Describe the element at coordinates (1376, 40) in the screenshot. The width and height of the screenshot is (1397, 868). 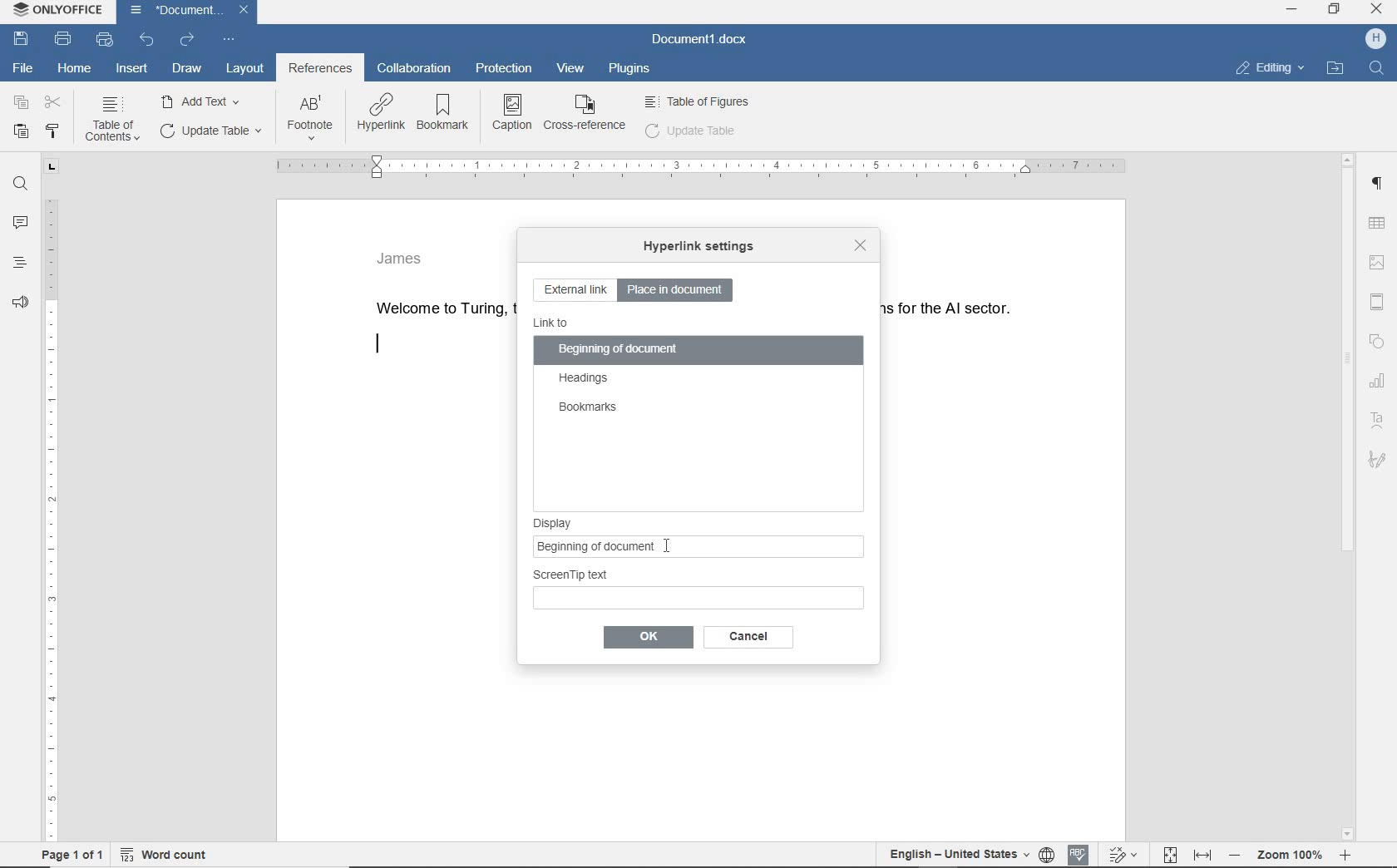
I see `username` at that location.